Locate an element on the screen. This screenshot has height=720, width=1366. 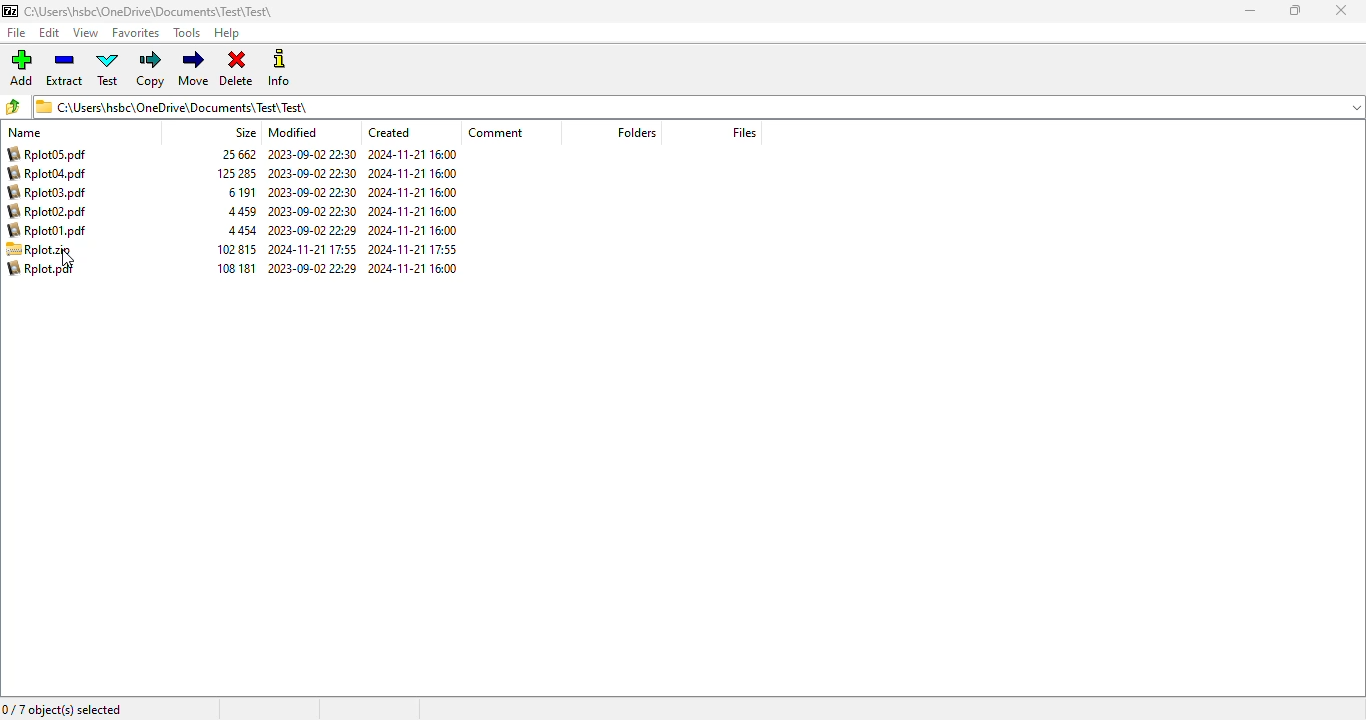
add is located at coordinates (20, 67).